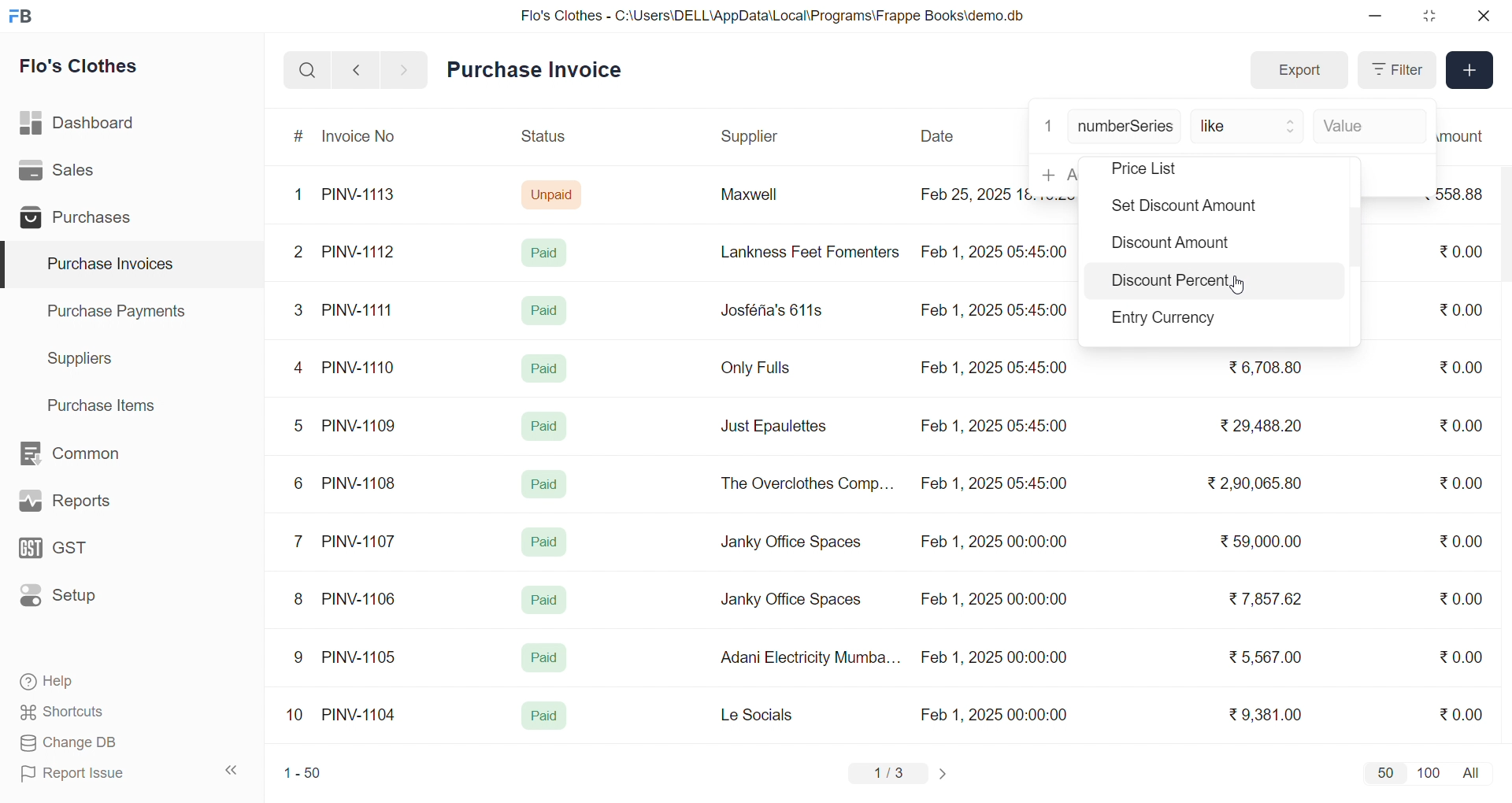 The height and width of the screenshot is (803, 1512). What do you see at coordinates (362, 542) in the screenshot?
I see `PINV-1107` at bounding box center [362, 542].